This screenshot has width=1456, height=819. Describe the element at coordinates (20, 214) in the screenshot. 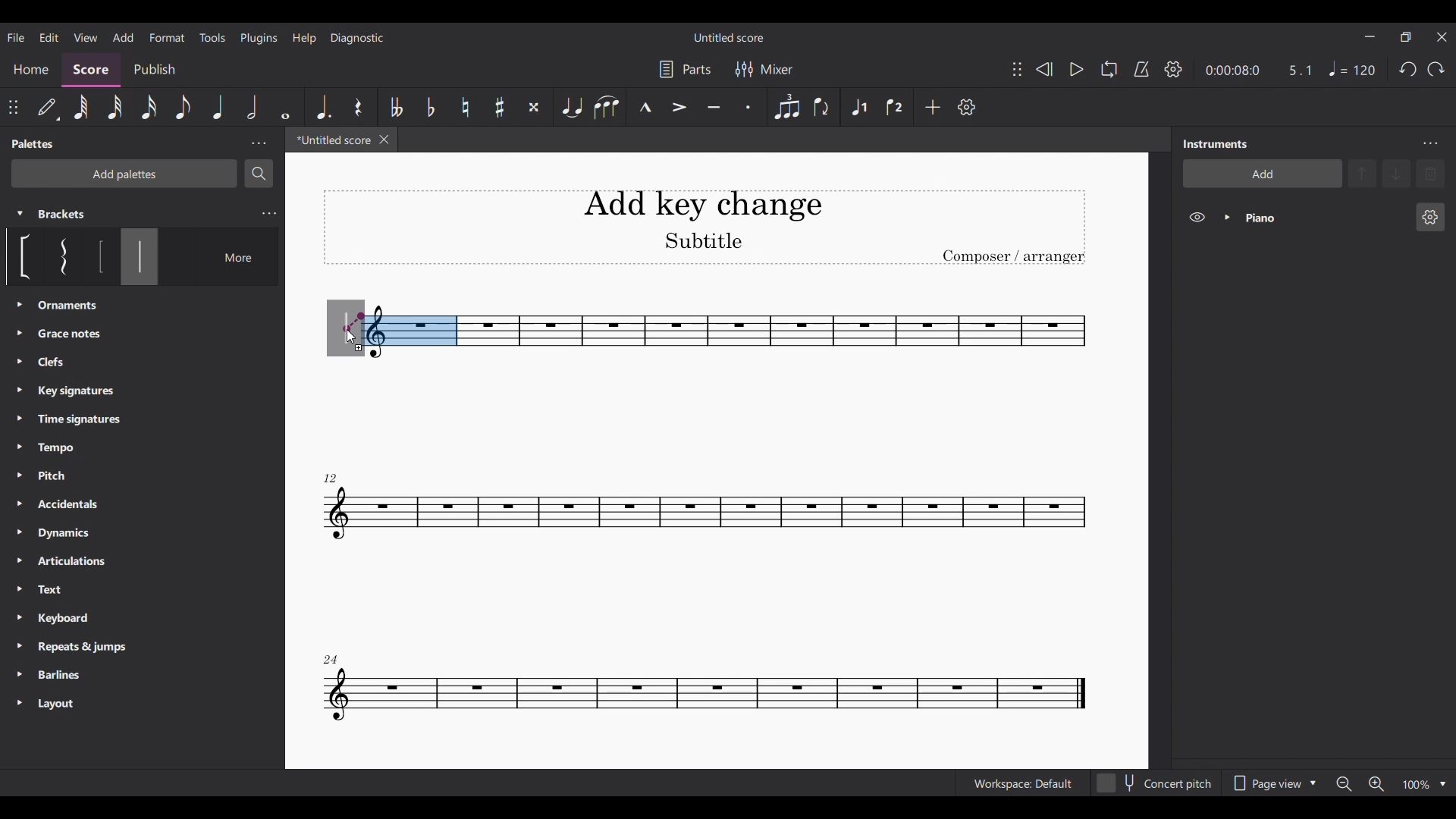

I see `Collapse Brackets` at that location.